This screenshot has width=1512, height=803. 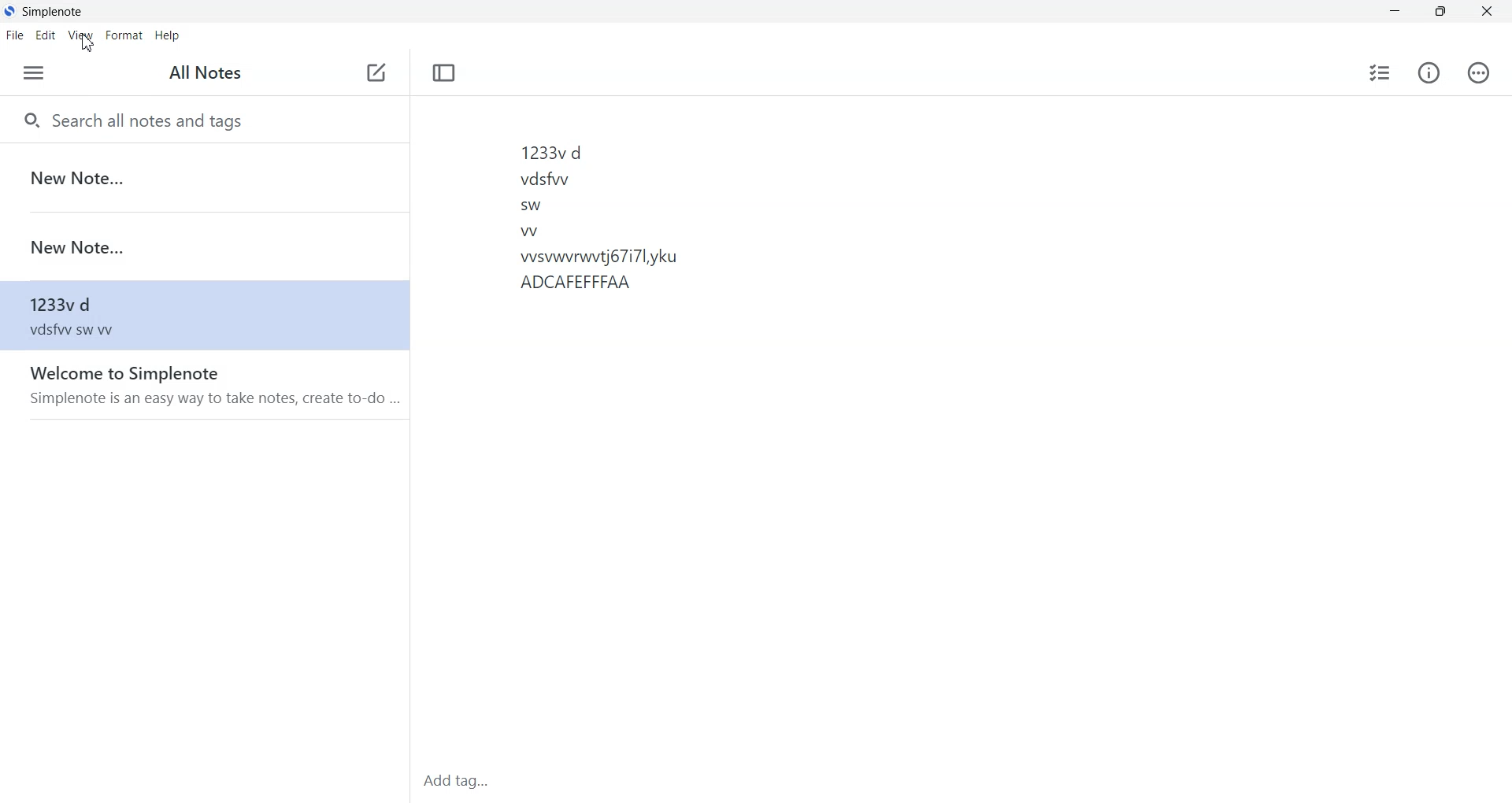 What do you see at coordinates (166, 35) in the screenshot?
I see `Help` at bounding box center [166, 35].